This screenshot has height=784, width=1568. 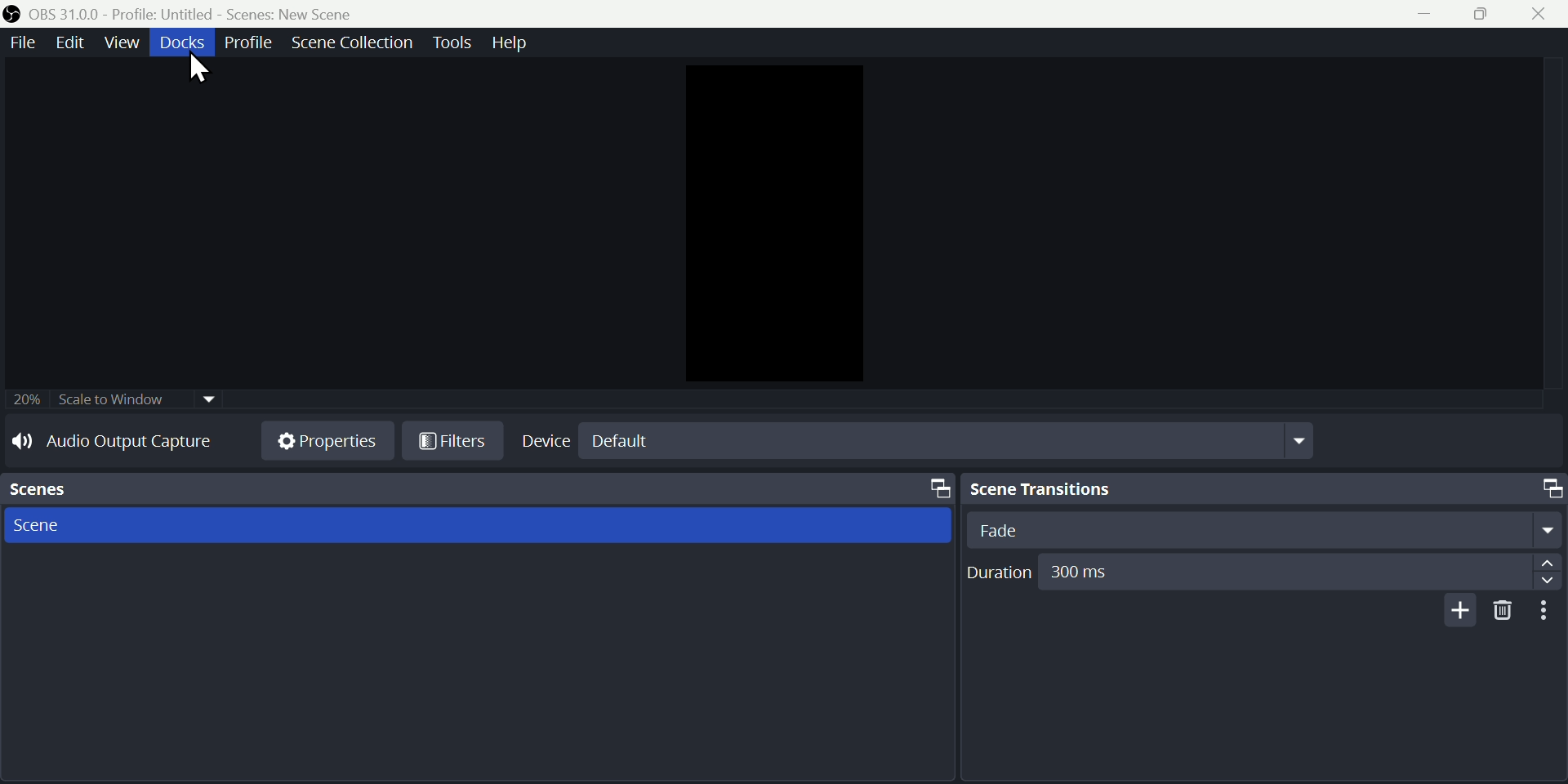 I want to click on minimize, so click(x=1423, y=16).